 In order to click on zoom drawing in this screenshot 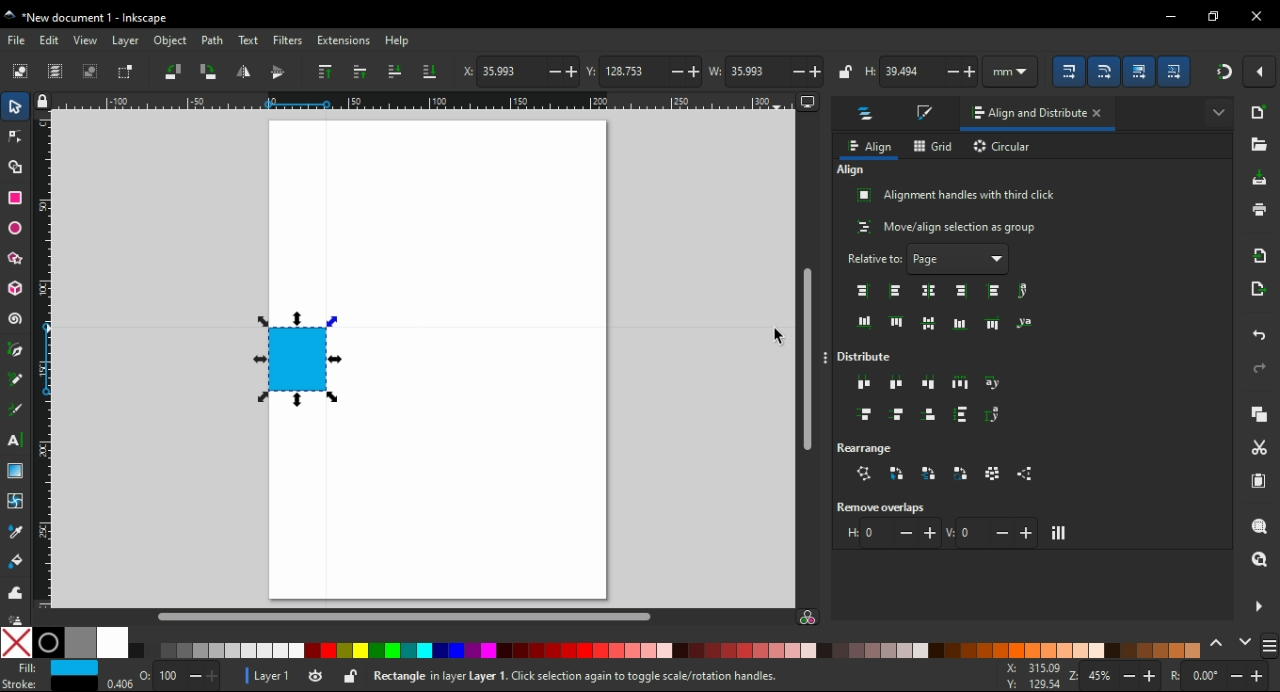, I will do `click(1261, 557)`.